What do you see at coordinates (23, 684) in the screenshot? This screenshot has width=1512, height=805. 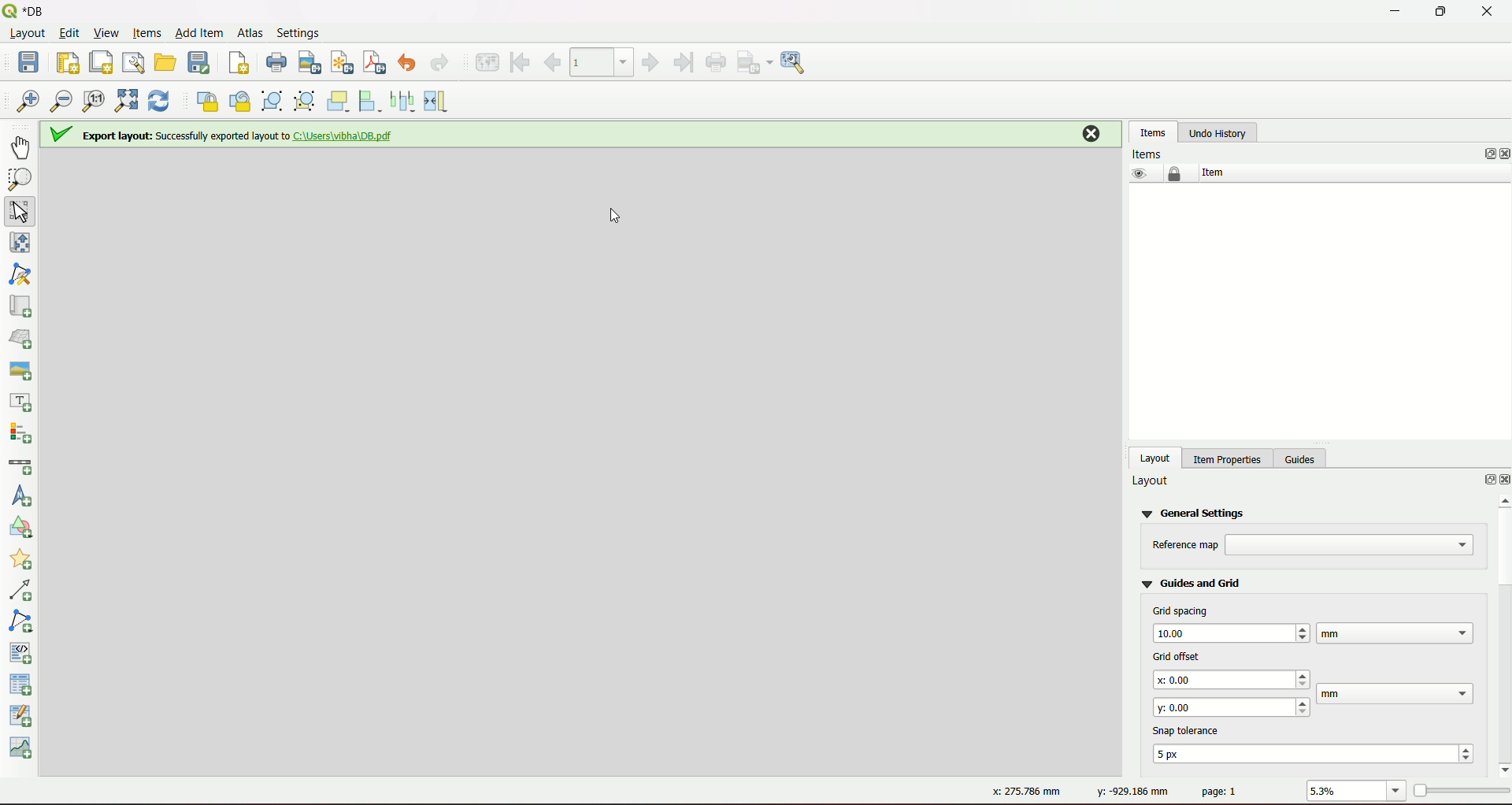 I see `add fixed table` at bounding box center [23, 684].